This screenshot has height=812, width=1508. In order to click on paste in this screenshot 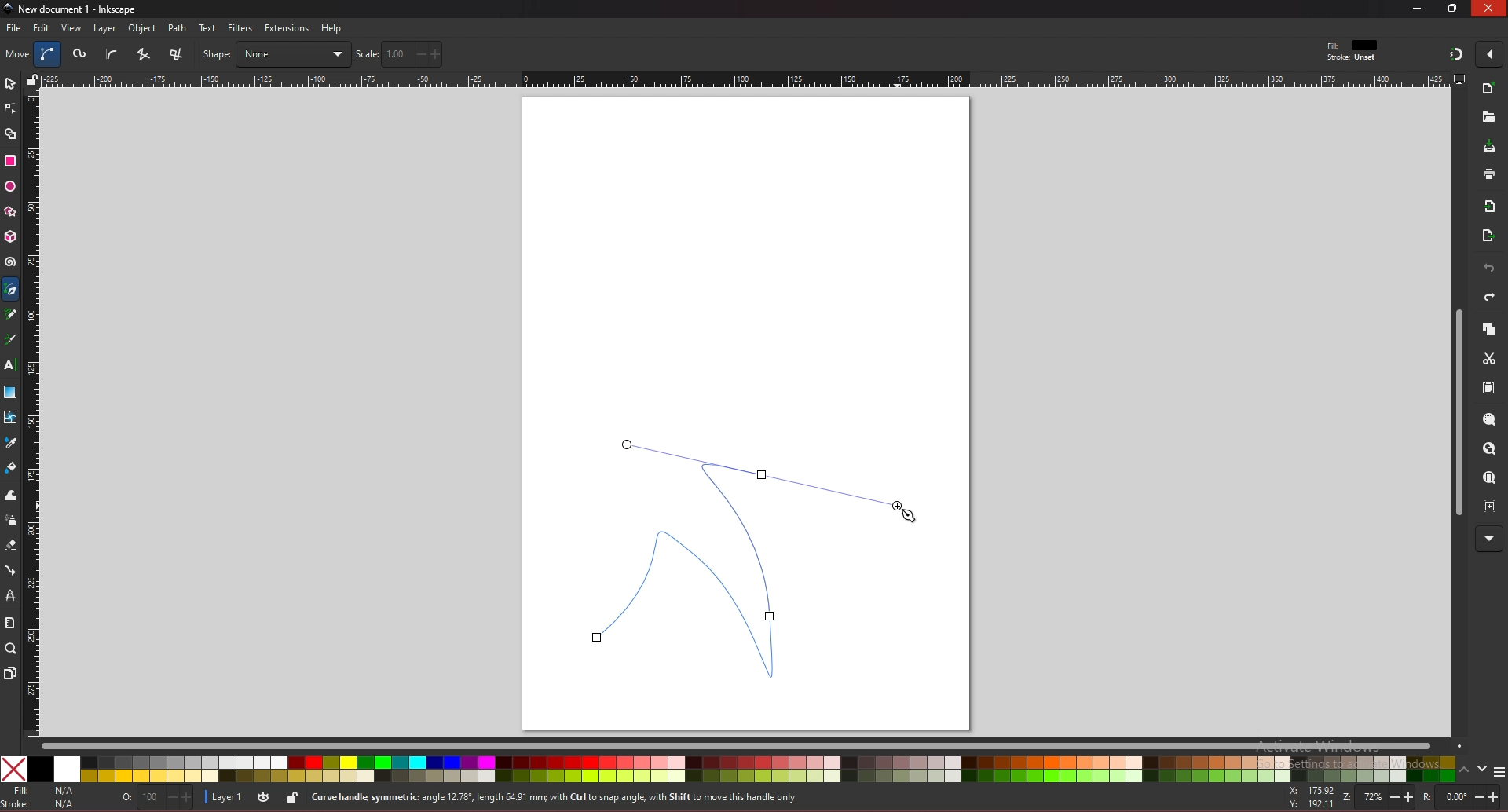, I will do `click(1488, 389)`.